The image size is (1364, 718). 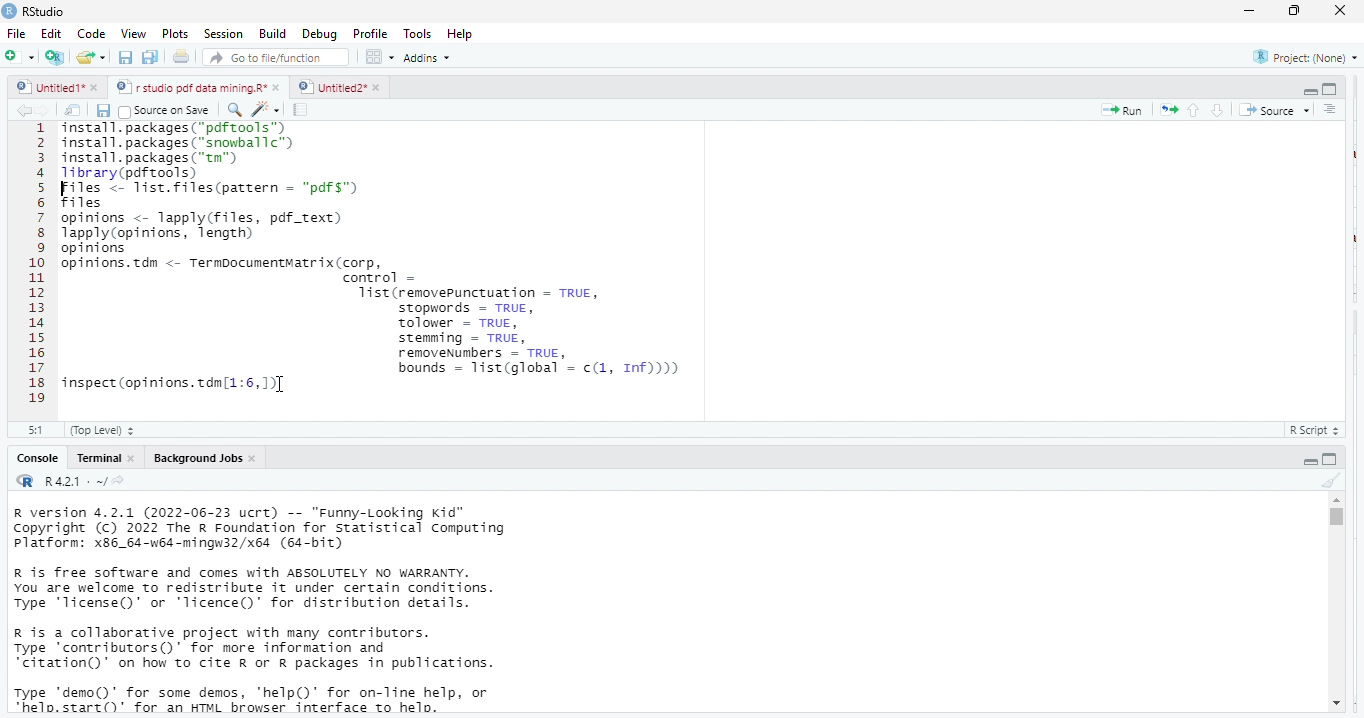 What do you see at coordinates (26, 482) in the screenshot?
I see `rs studio` at bounding box center [26, 482].